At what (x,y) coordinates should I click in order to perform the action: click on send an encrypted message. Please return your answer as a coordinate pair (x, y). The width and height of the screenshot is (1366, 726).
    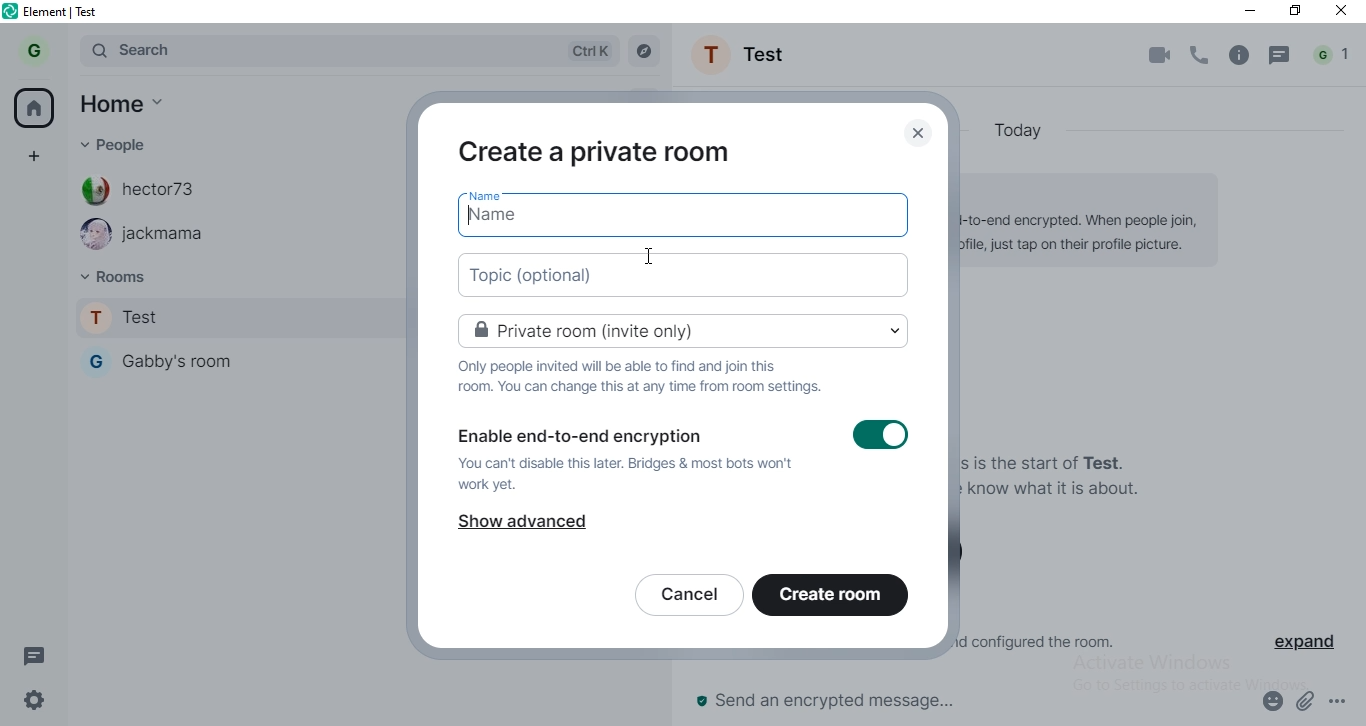
    Looking at the image, I should click on (863, 701).